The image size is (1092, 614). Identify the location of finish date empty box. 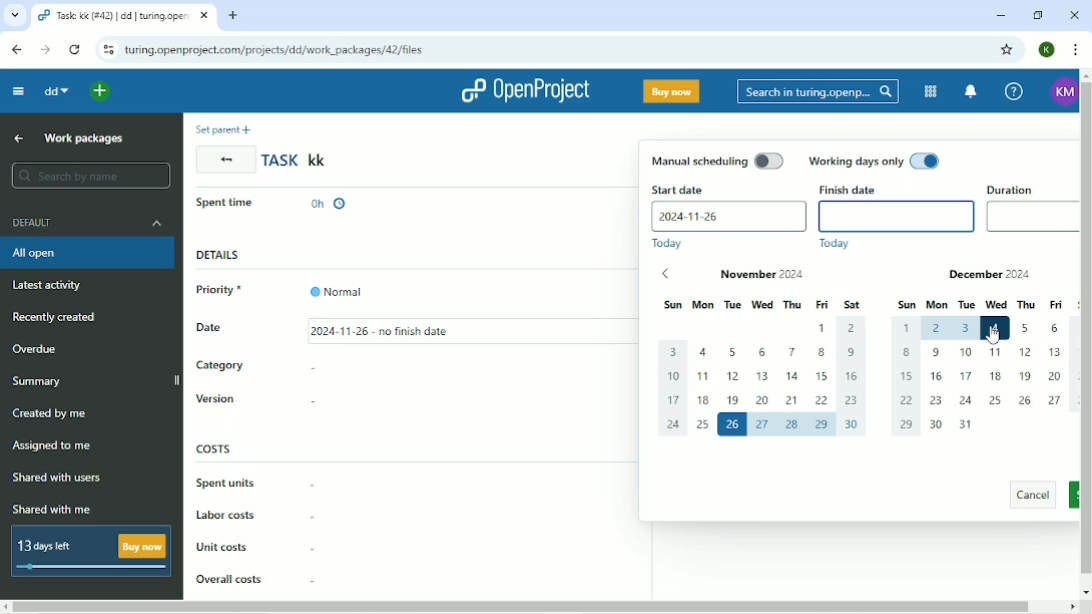
(895, 216).